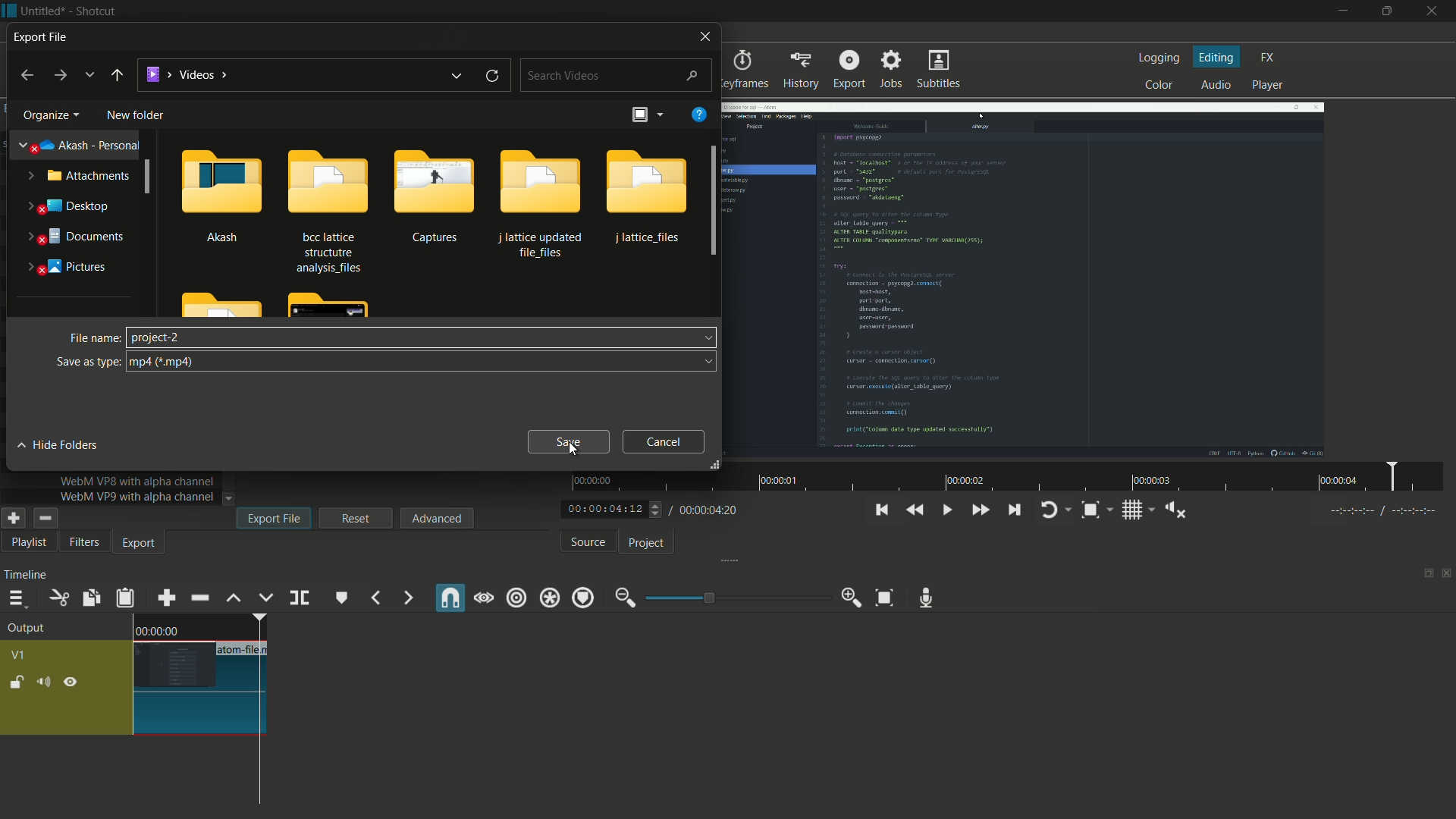 This screenshot has height=819, width=1456. Describe the element at coordinates (69, 206) in the screenshot. I see `desktop` at that location.